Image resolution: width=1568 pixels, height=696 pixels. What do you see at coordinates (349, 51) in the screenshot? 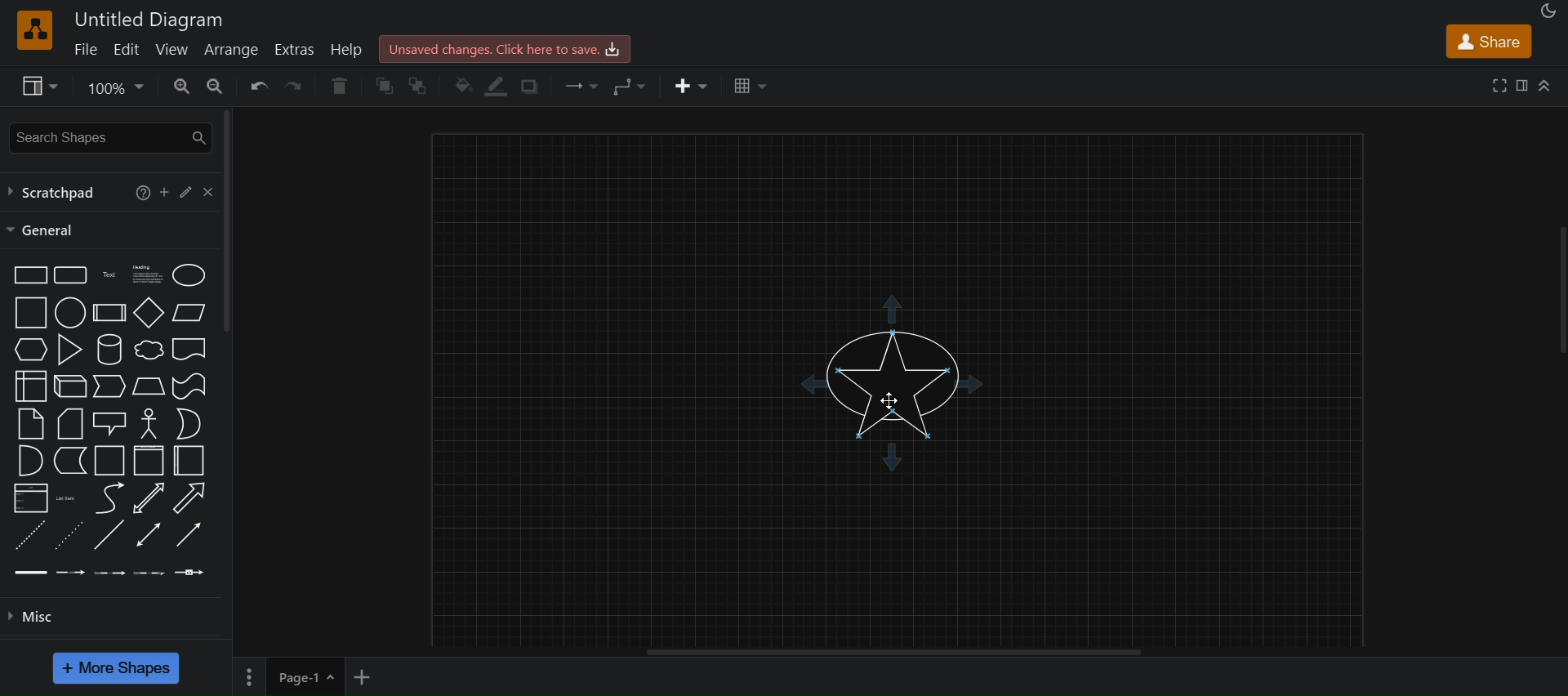
I see `help` at bounding box center [349, 51].